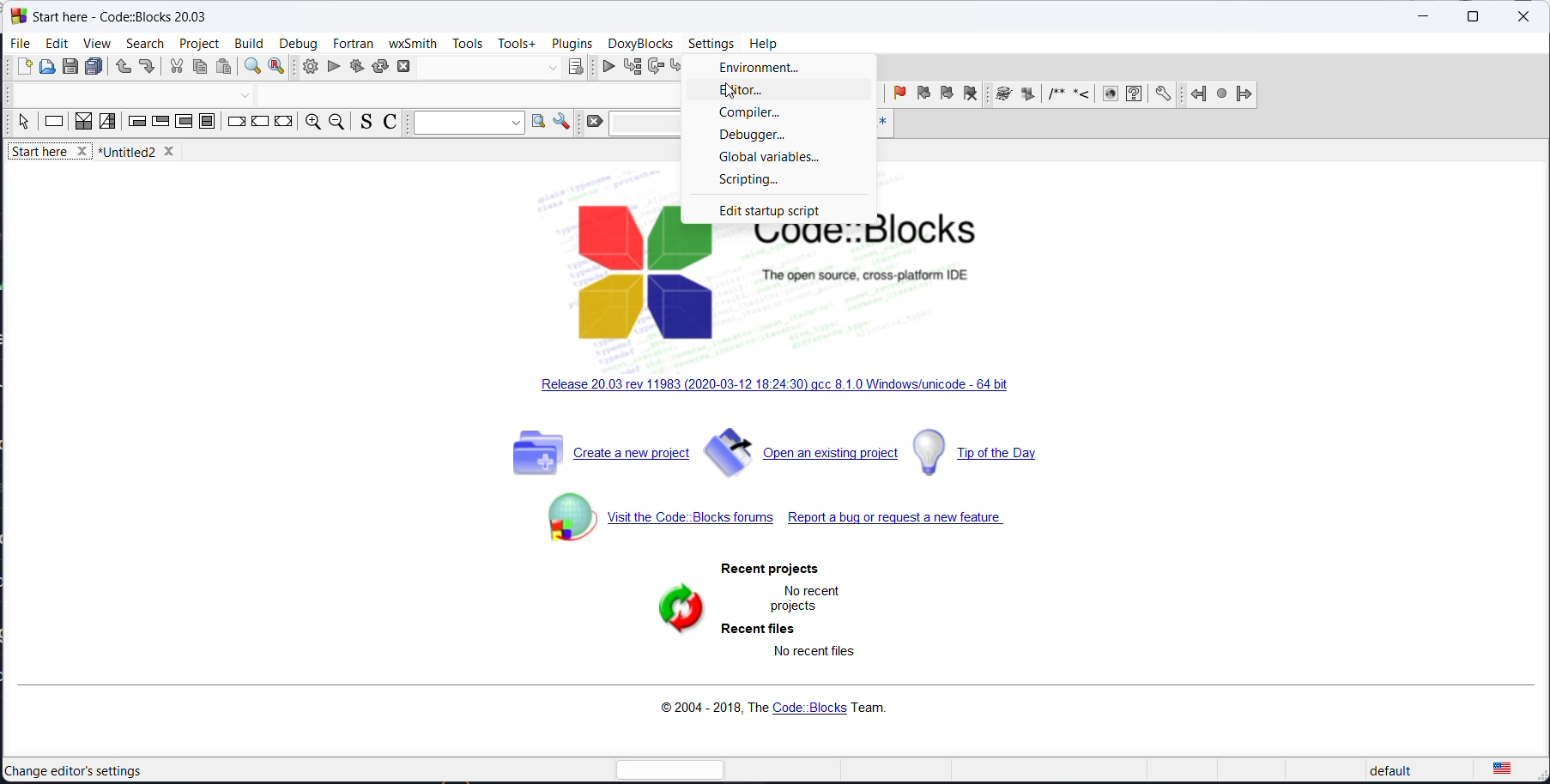 The image size is (1550, 784). I want to click on change editor settings, so click(76, 771).